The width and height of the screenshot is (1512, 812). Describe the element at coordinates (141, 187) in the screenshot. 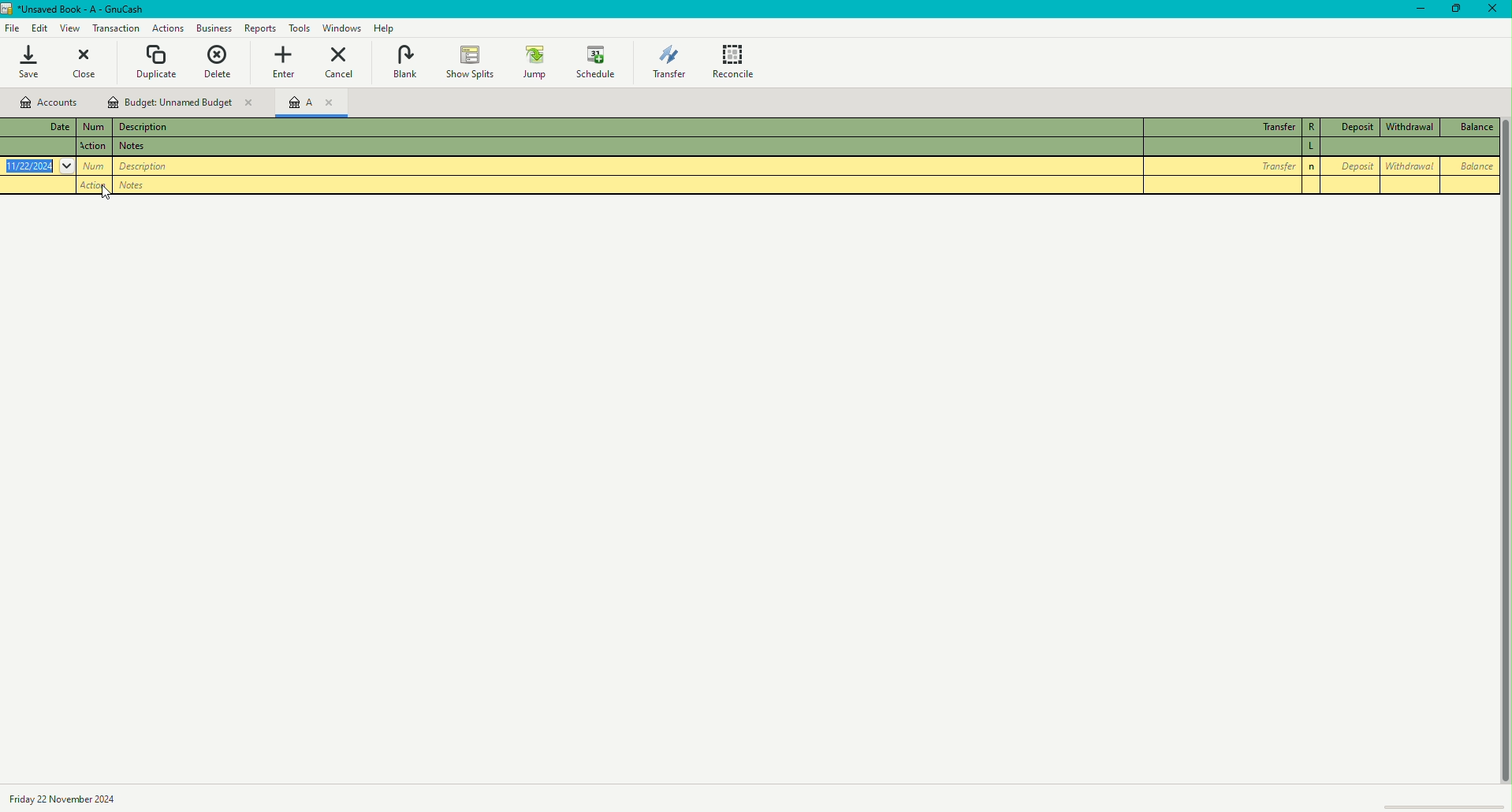

I see `Notes` at that location.